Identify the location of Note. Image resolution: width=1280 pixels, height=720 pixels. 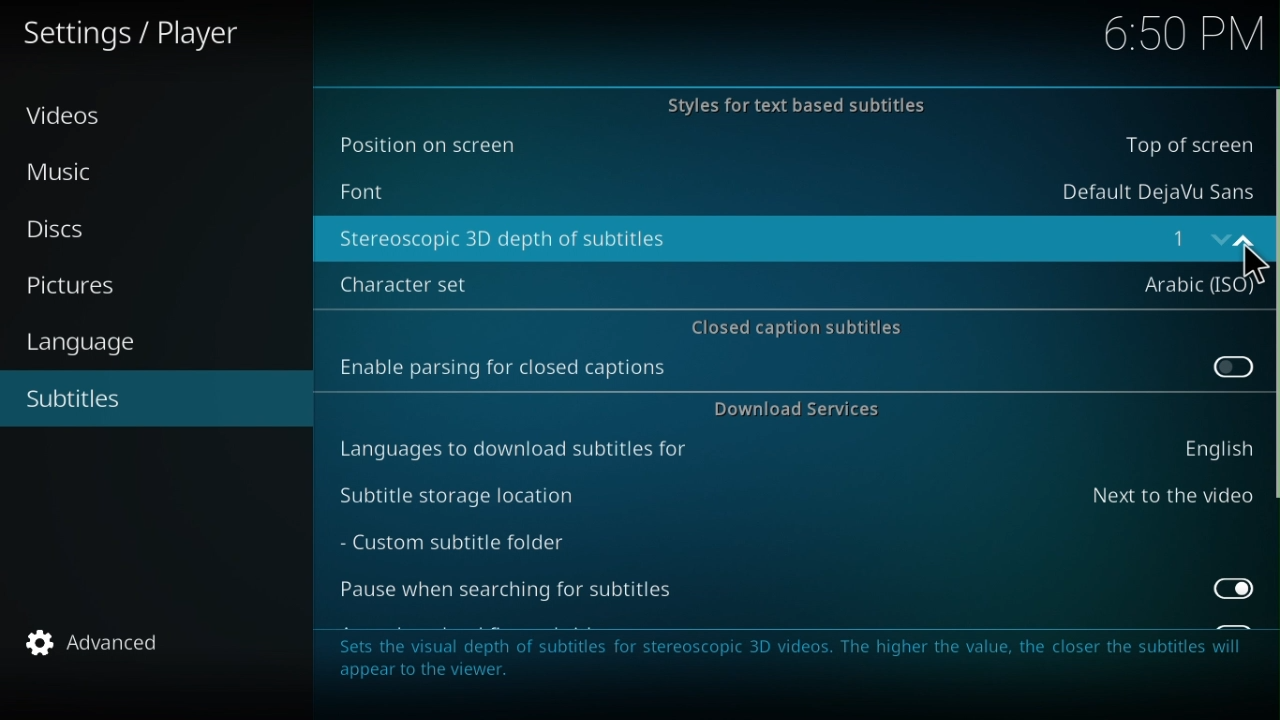
(795, 662).